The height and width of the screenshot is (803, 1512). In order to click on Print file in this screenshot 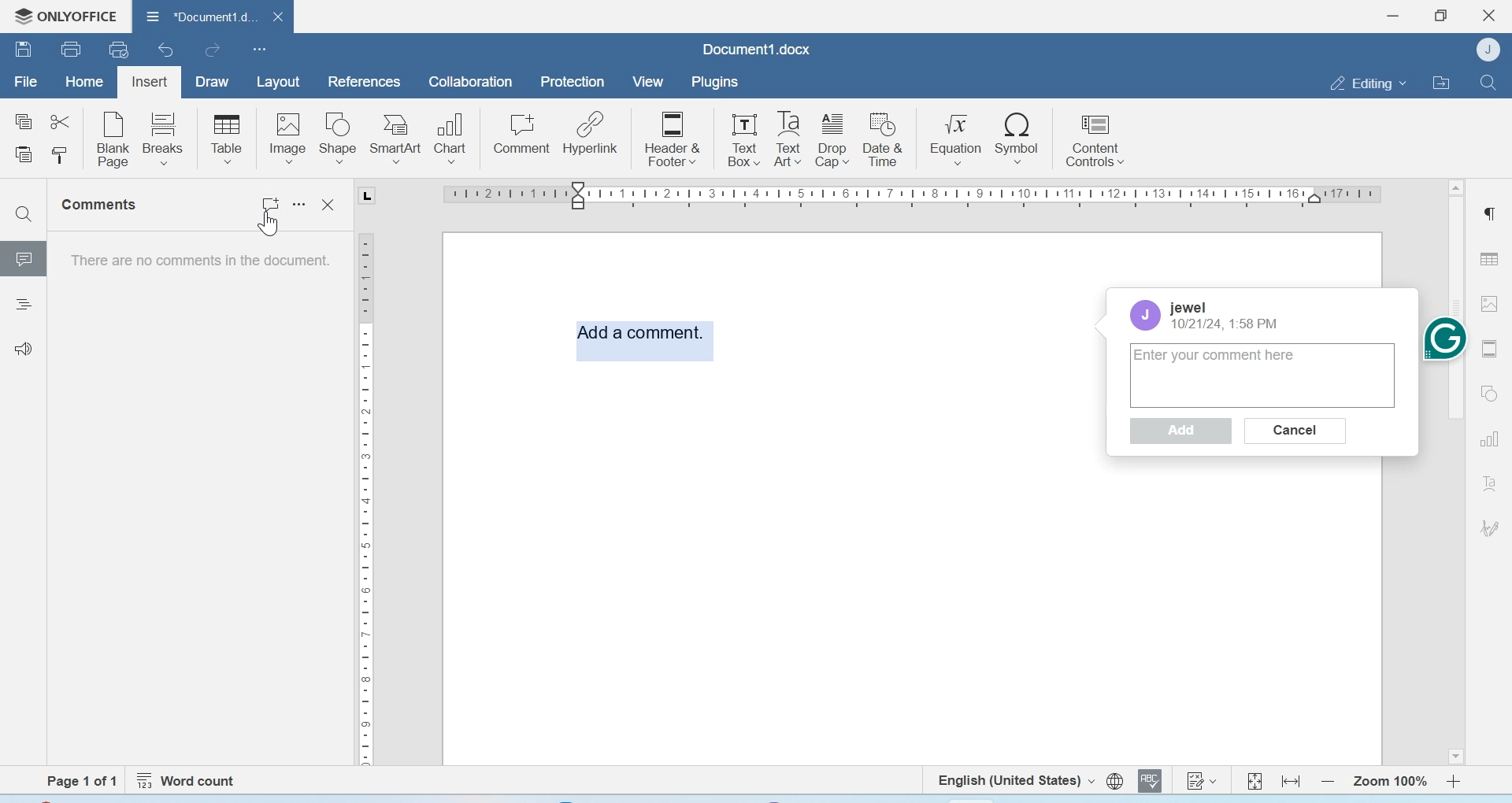, I will do `click(73, 49)`.